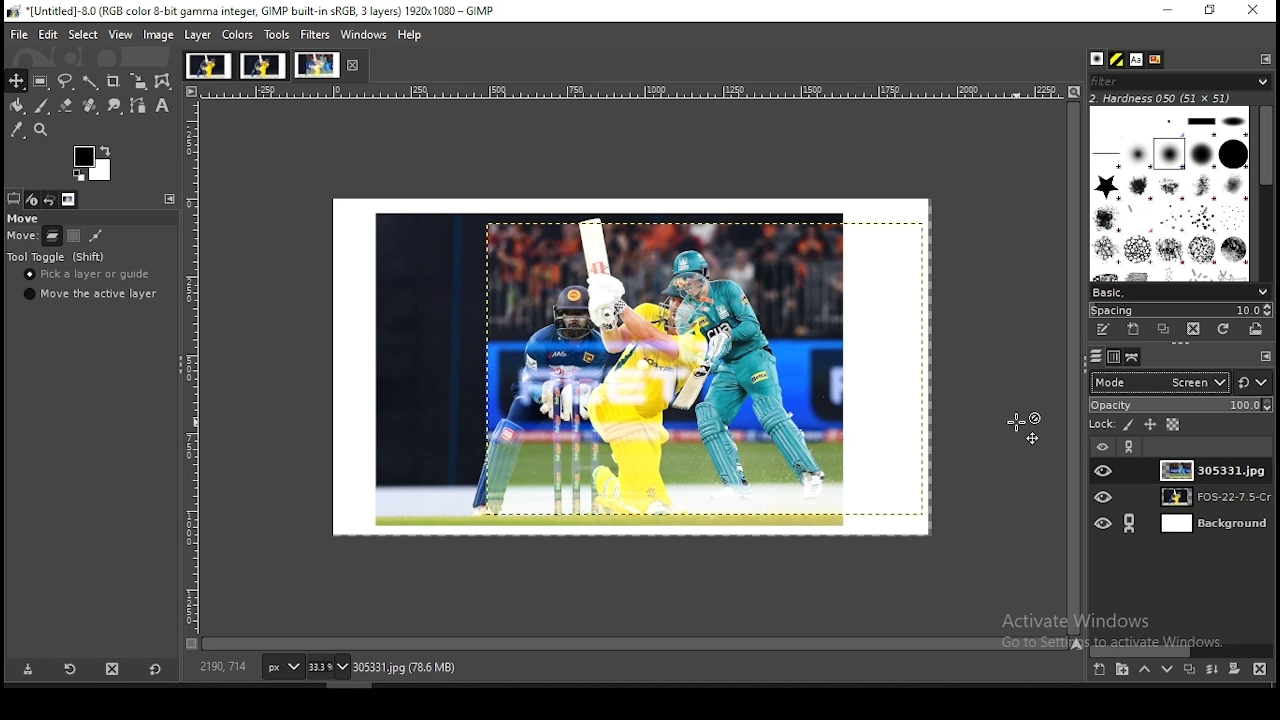  I want to click on zoom tool, so click(40, 129).